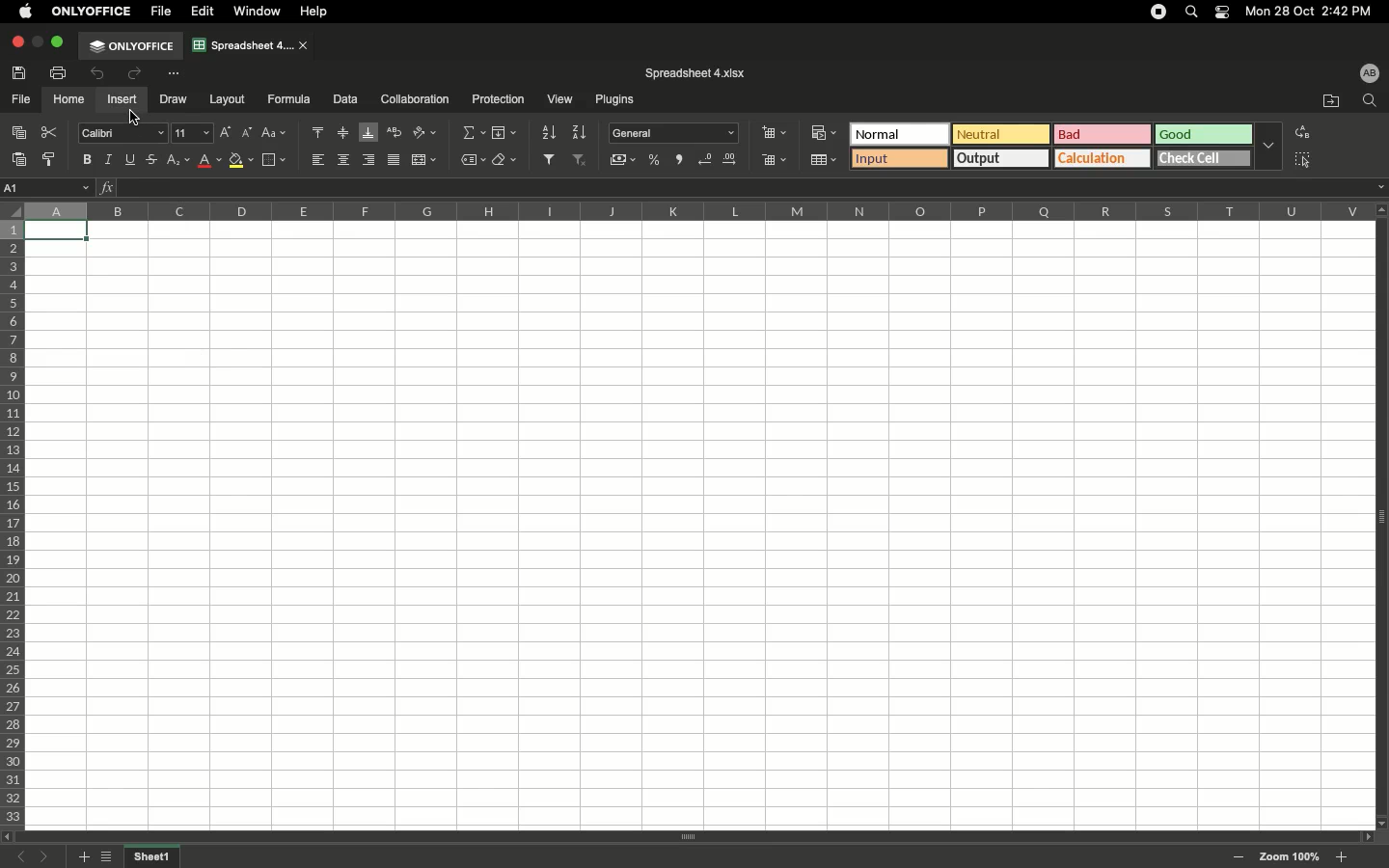 The image size is (1389, 868). What do you see at coordinates (345, 98) in the screenshot?
I see `Data` at bounding box center [345, 98].